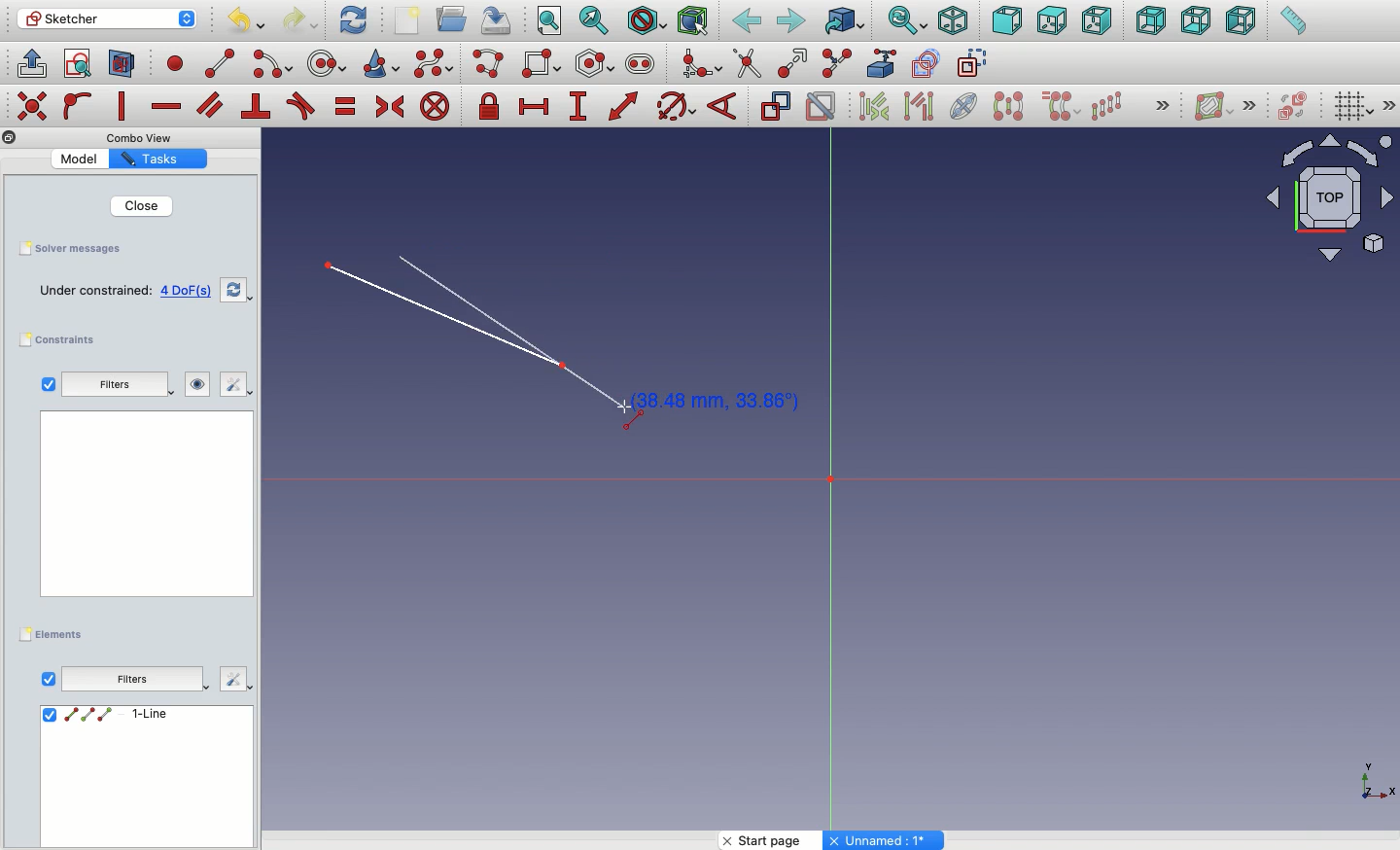 The height and width of the screenshot is (850, 1400). I want to click on , so click(145, 138).